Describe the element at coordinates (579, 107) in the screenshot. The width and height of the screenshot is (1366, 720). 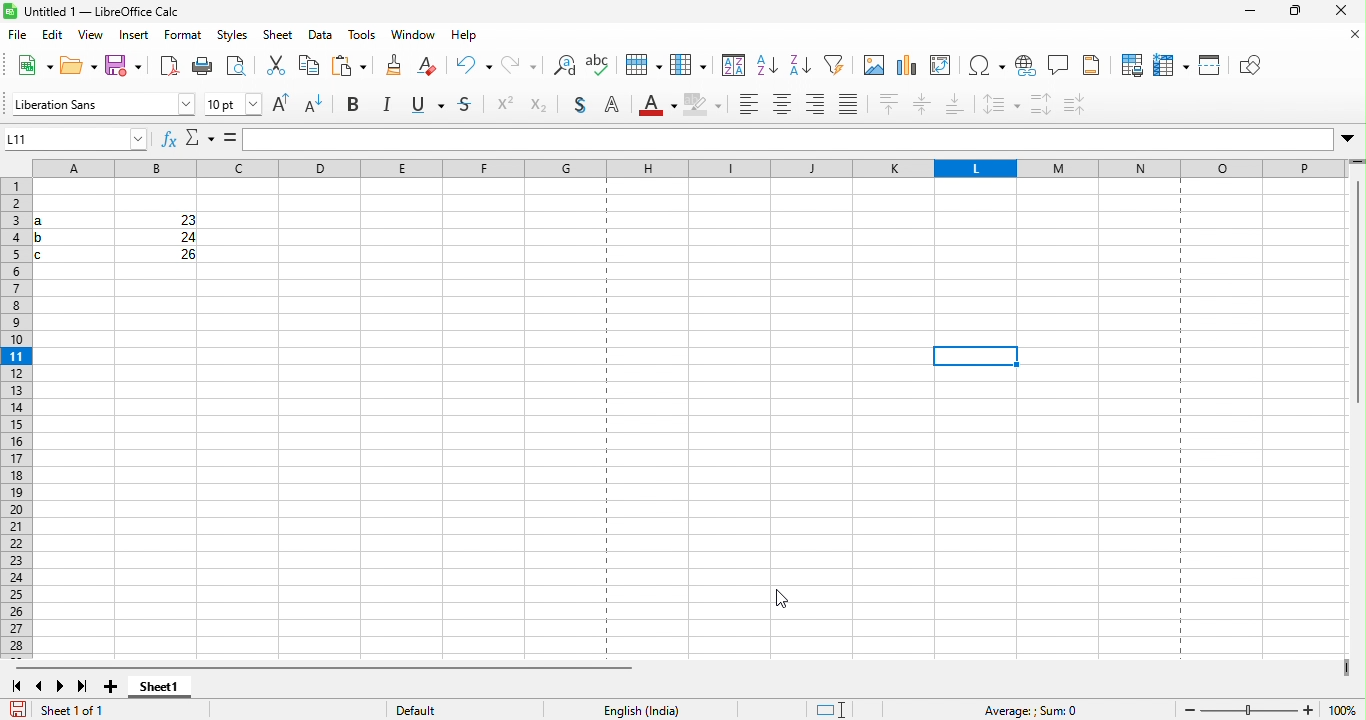
I see `toggle shadow ` at that location.